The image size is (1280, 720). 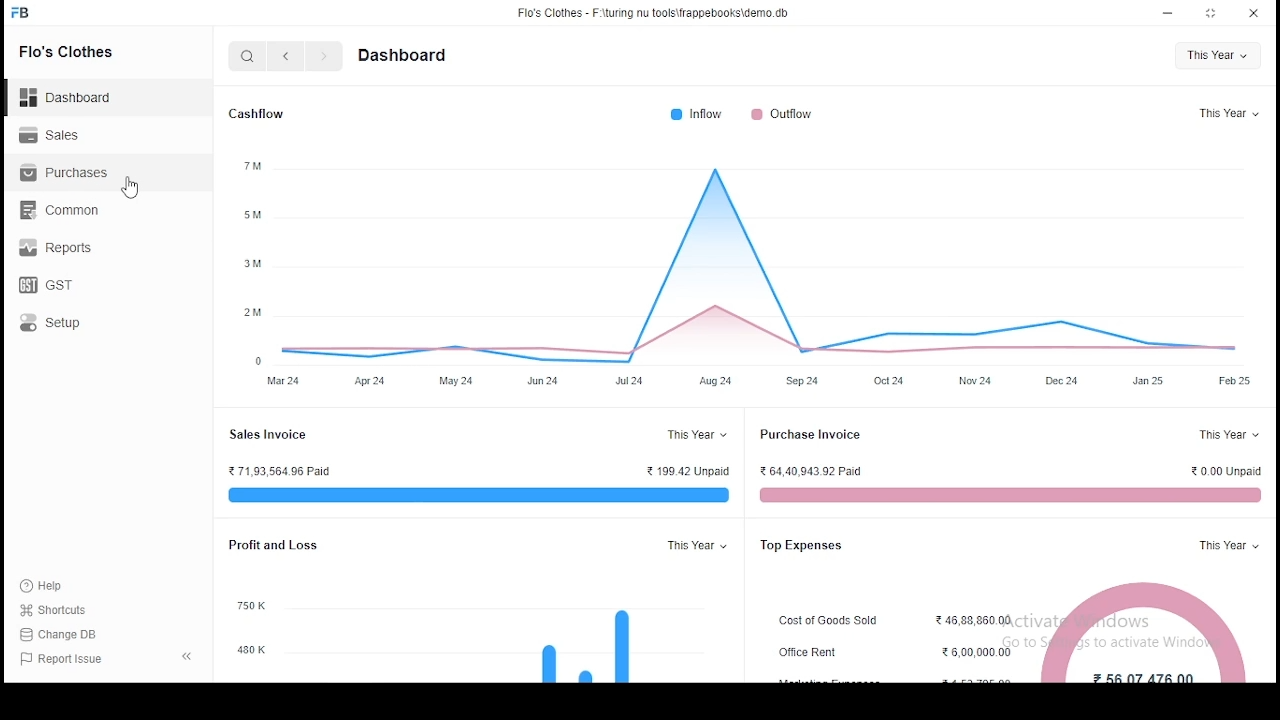 I want to click on jun 24, so click(x=544, y=383).